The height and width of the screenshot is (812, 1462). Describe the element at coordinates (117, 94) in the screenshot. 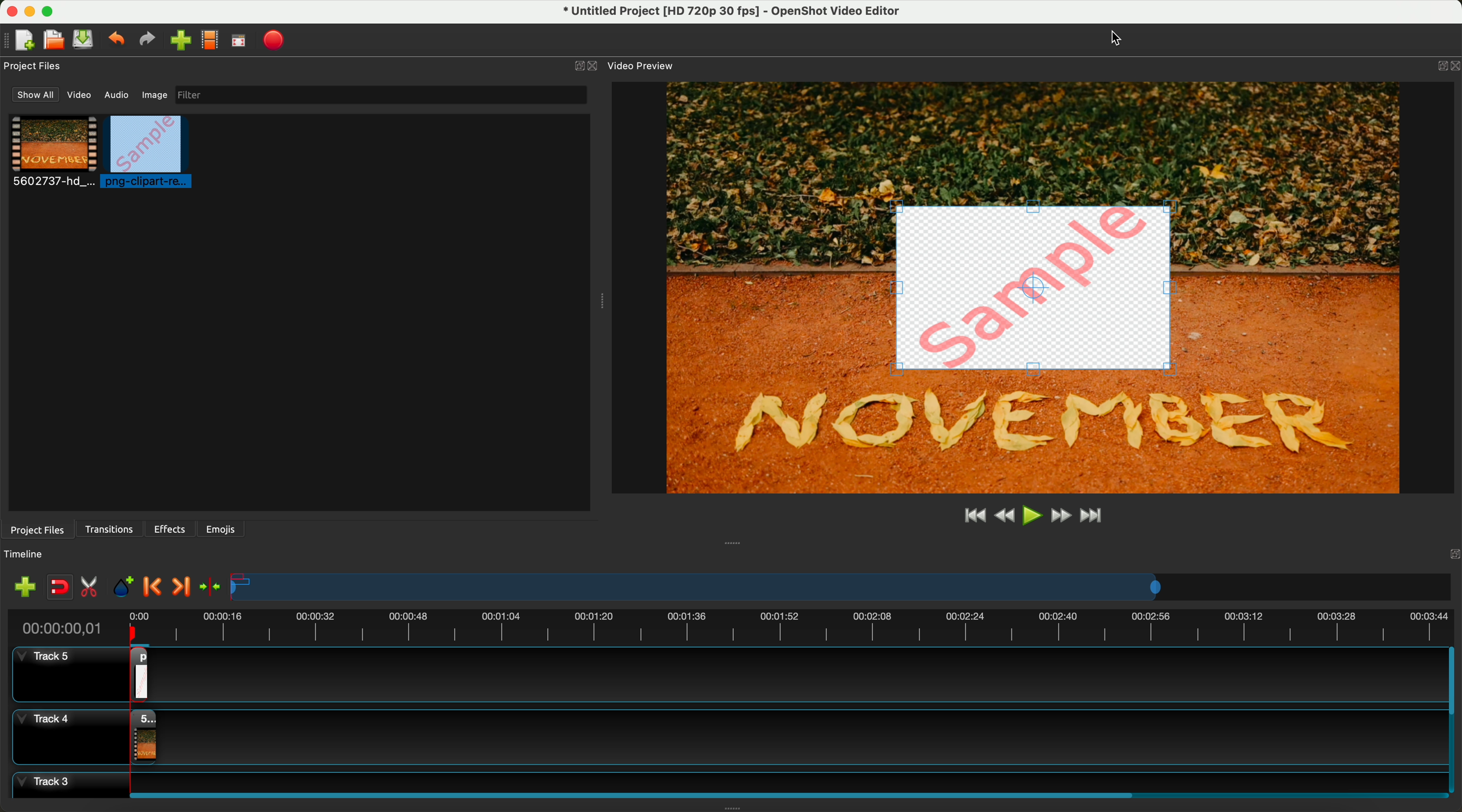

I see `audio` at that location.